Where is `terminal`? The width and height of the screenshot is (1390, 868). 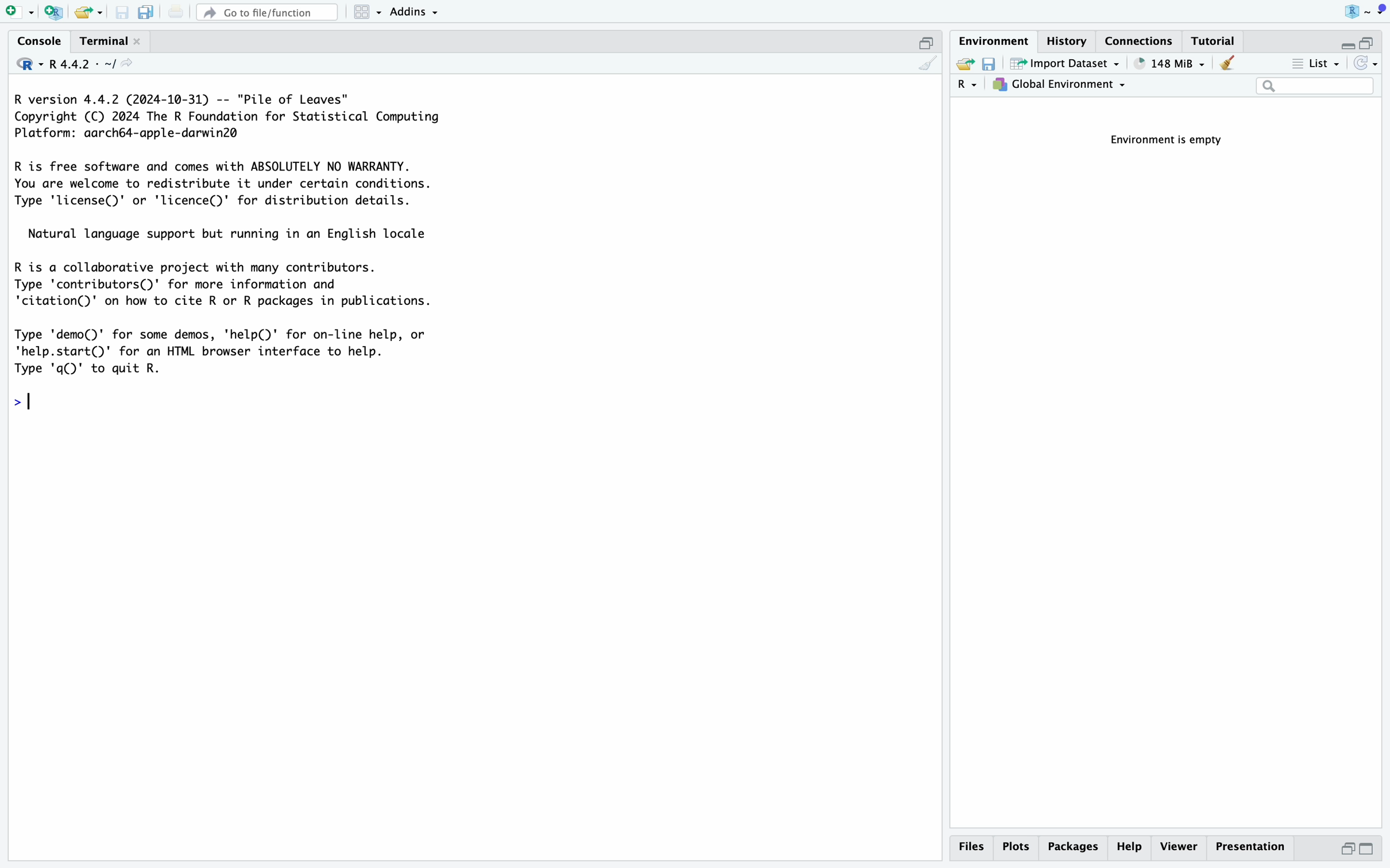 terminal is located at coordinates (100, 38).